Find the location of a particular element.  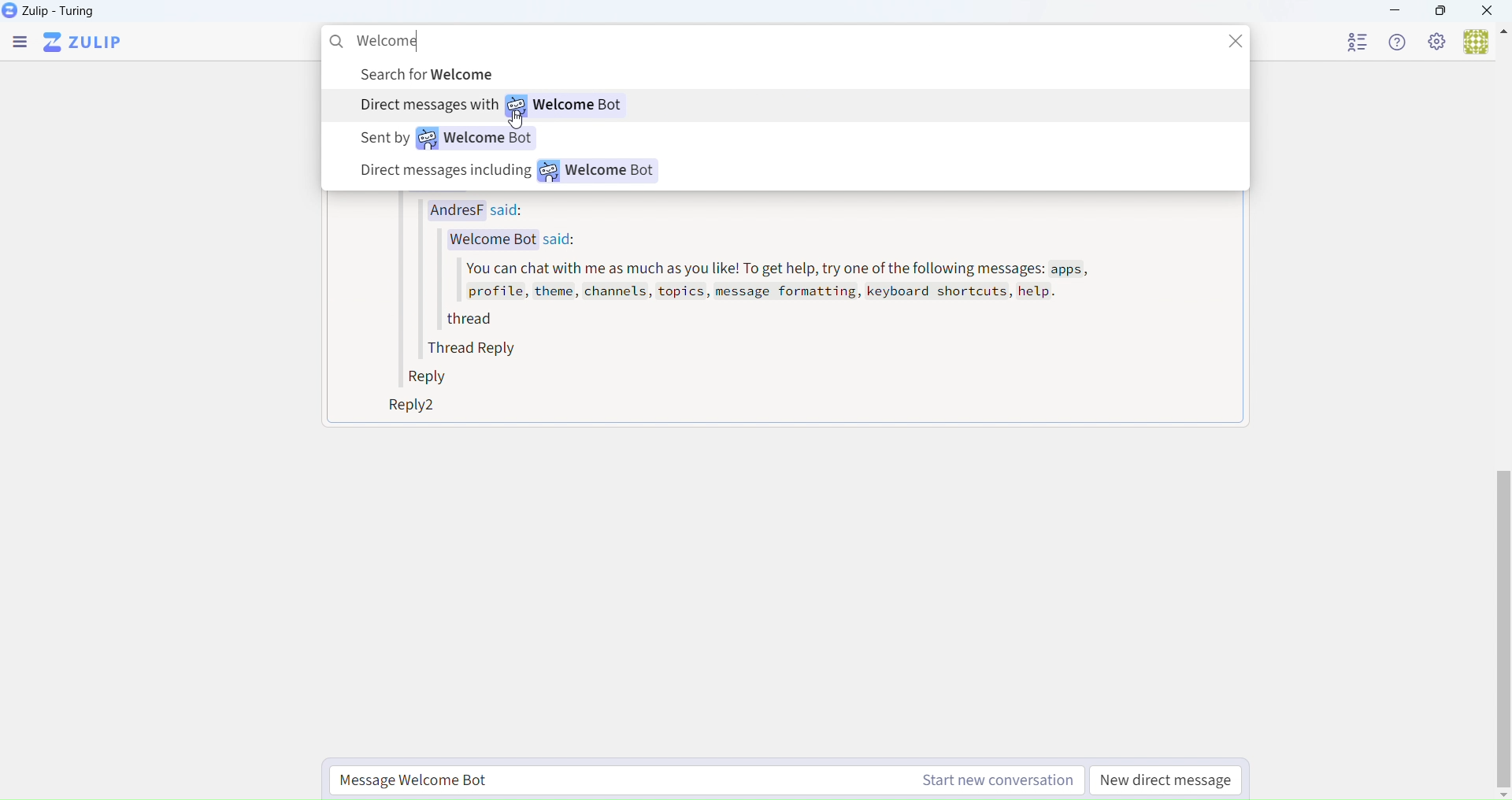

Message Welcome Bot is located at coordinates (702, 777).